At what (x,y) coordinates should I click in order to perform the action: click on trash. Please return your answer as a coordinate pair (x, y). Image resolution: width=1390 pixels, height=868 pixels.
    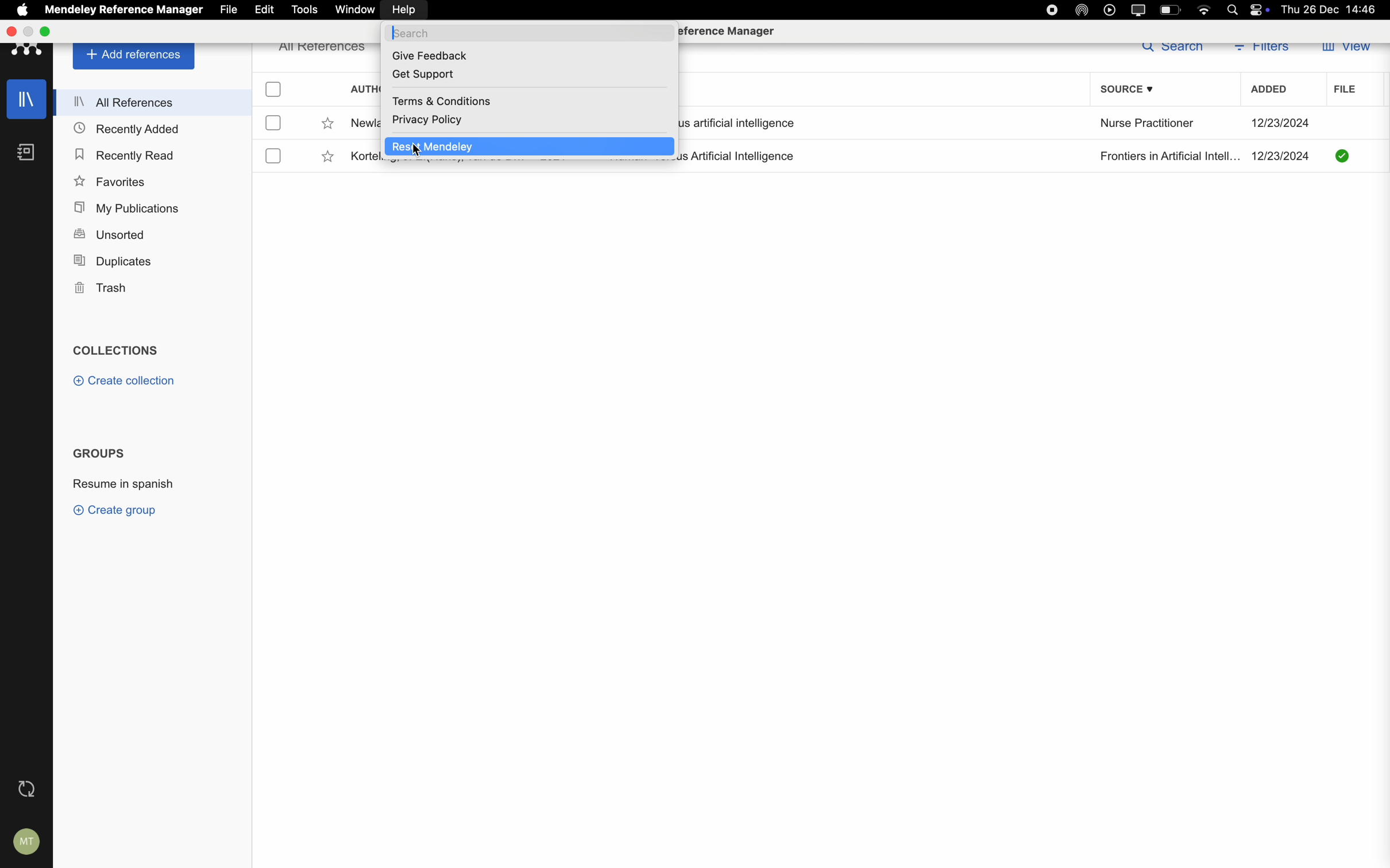
    Looking at the image, I should click on (102, 288).